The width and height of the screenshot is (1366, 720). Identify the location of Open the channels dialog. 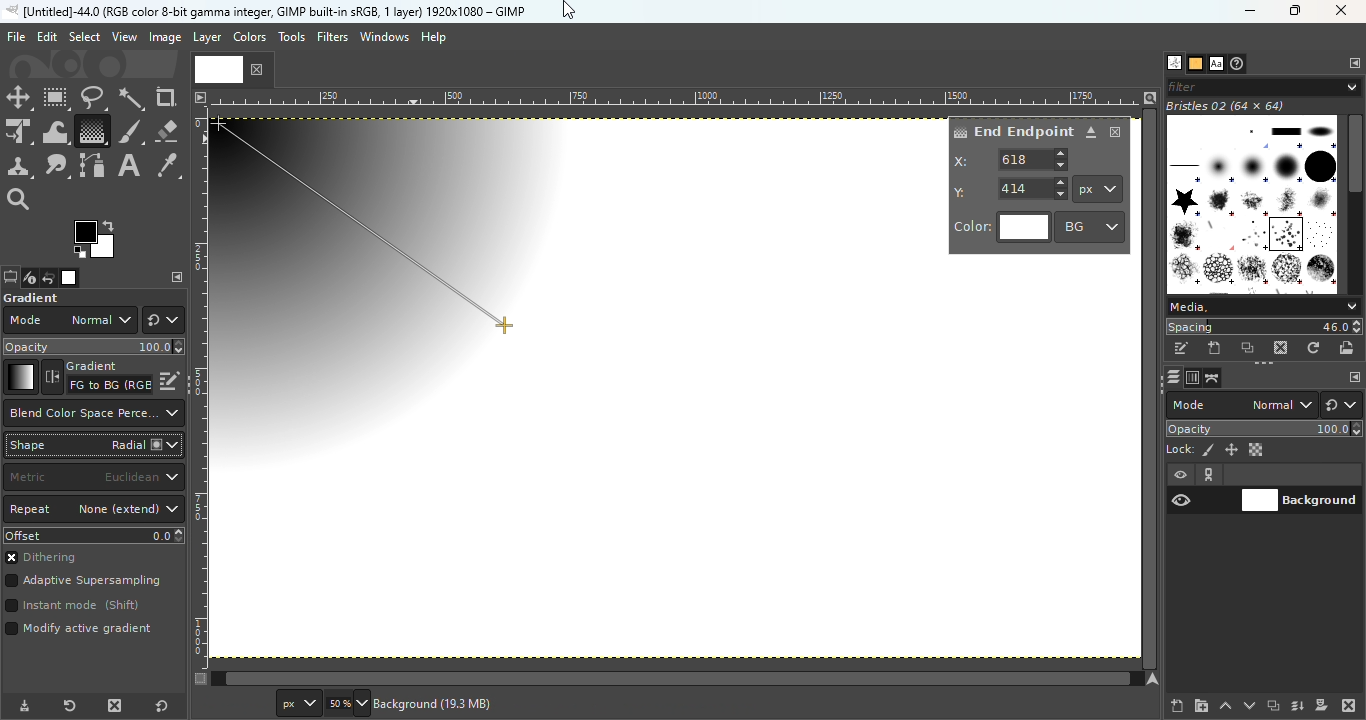
(1191, 376).